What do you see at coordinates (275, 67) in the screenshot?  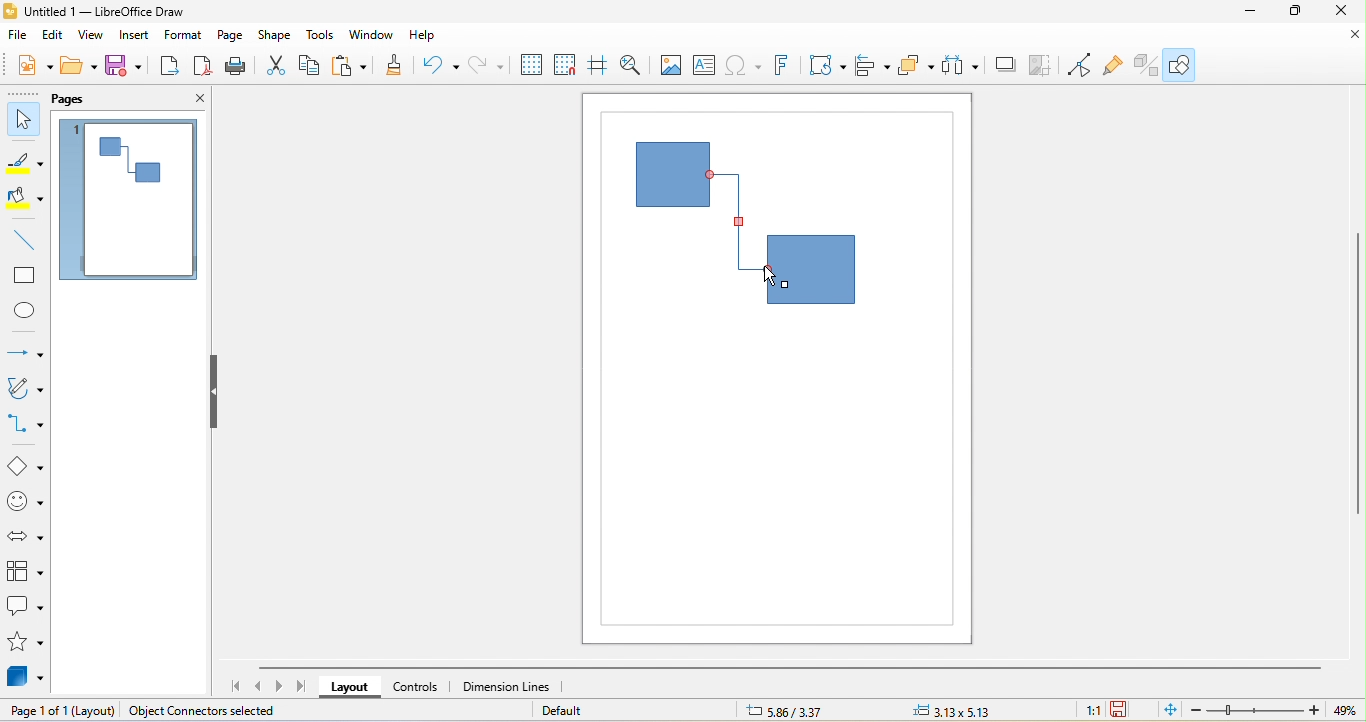 I see `cut` at bounding box center [275, 67].